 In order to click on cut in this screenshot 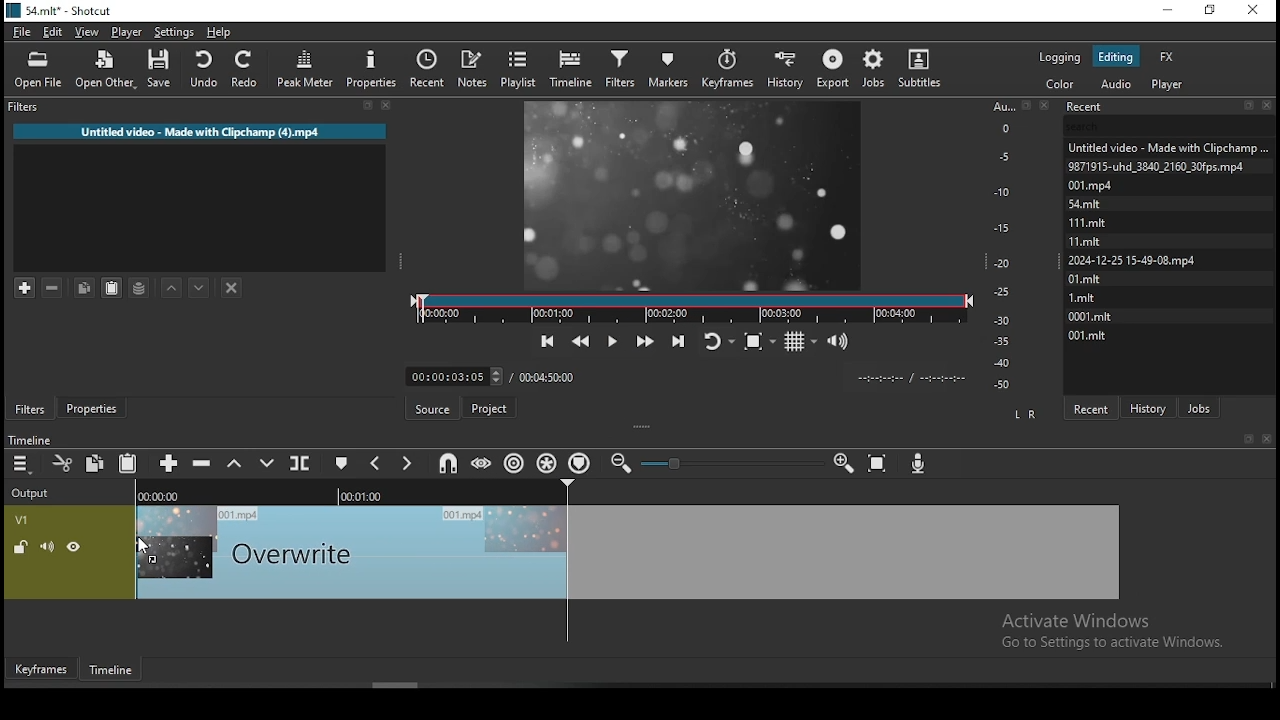, I will do `click(63, 462)`.